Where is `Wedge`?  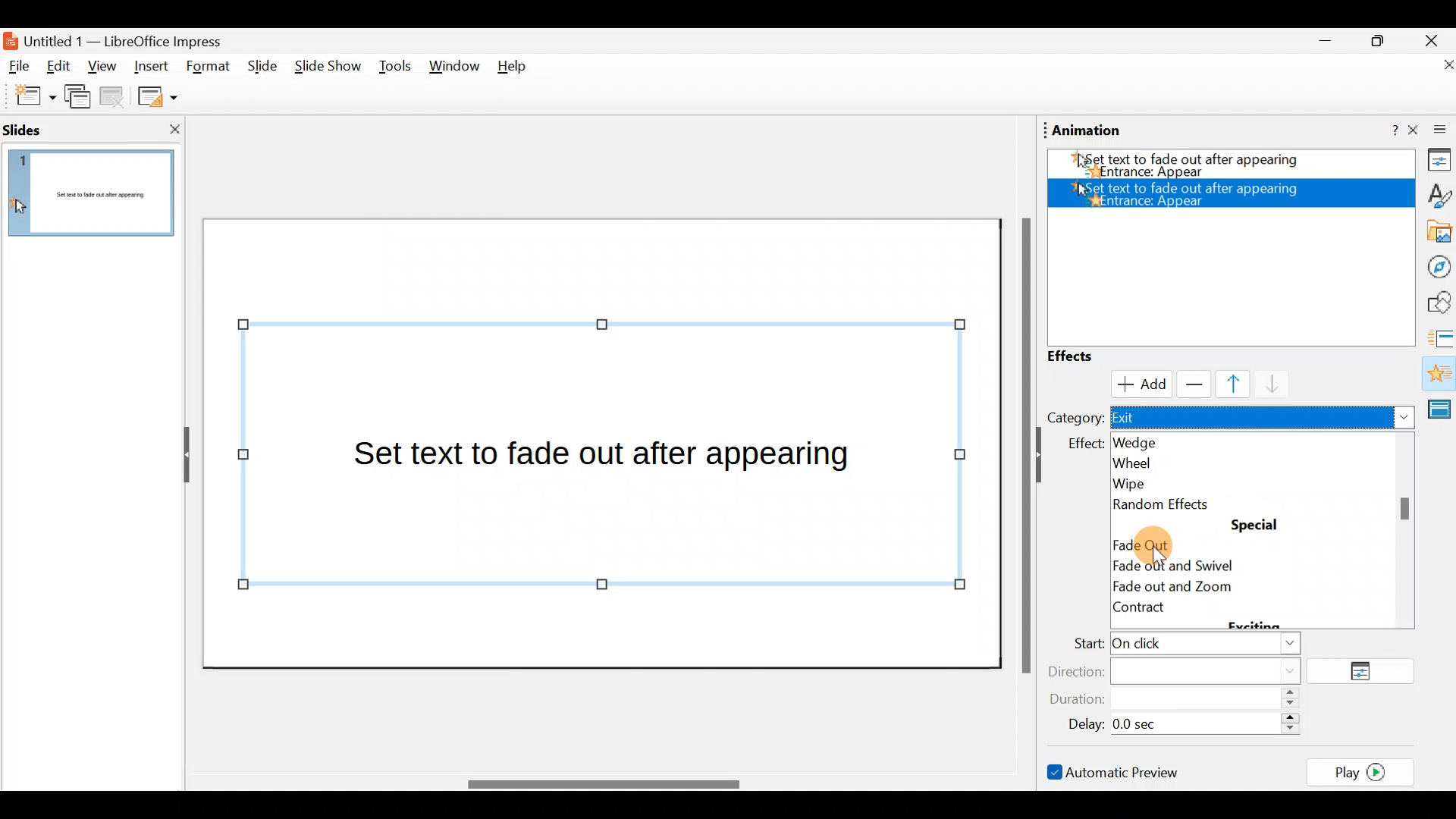
Wedge is located at coordinates (1153, 441).